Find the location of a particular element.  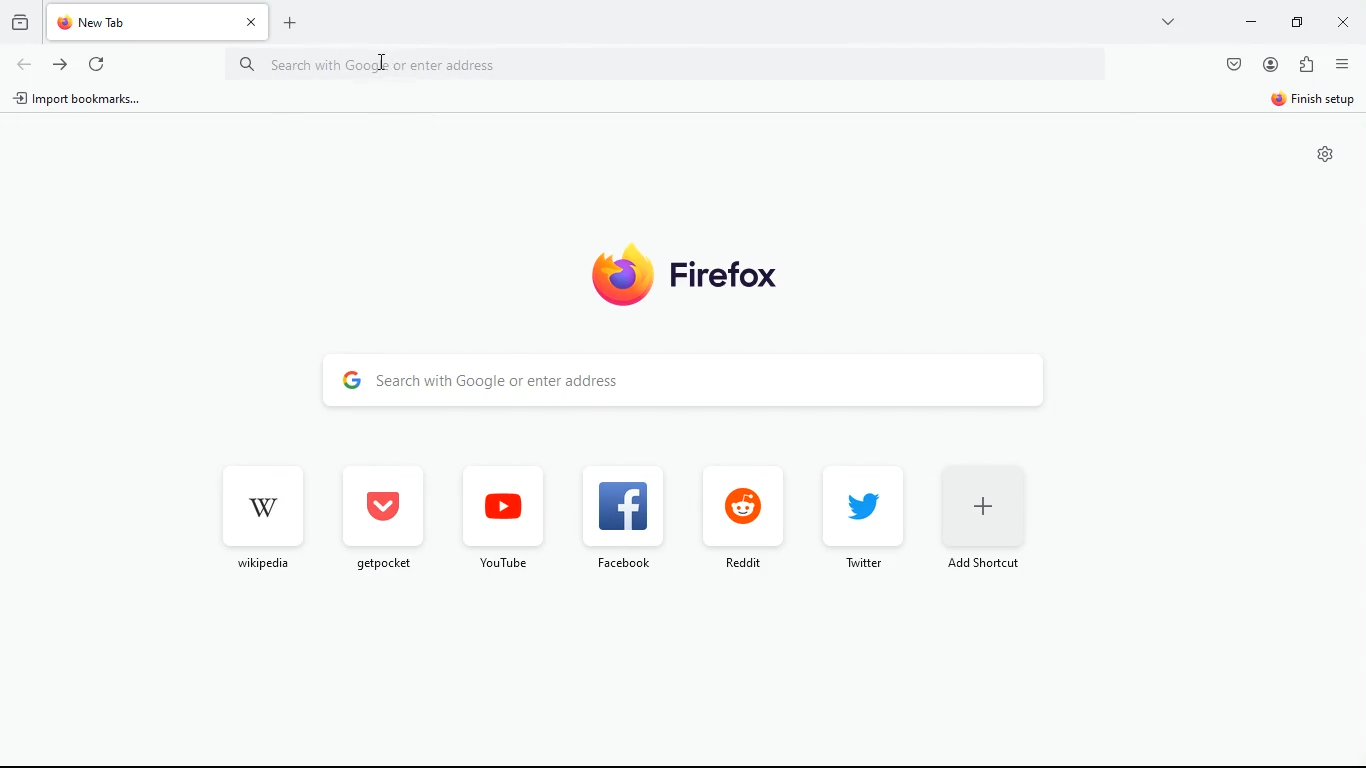

twitter is located at coordinates (855, 516).